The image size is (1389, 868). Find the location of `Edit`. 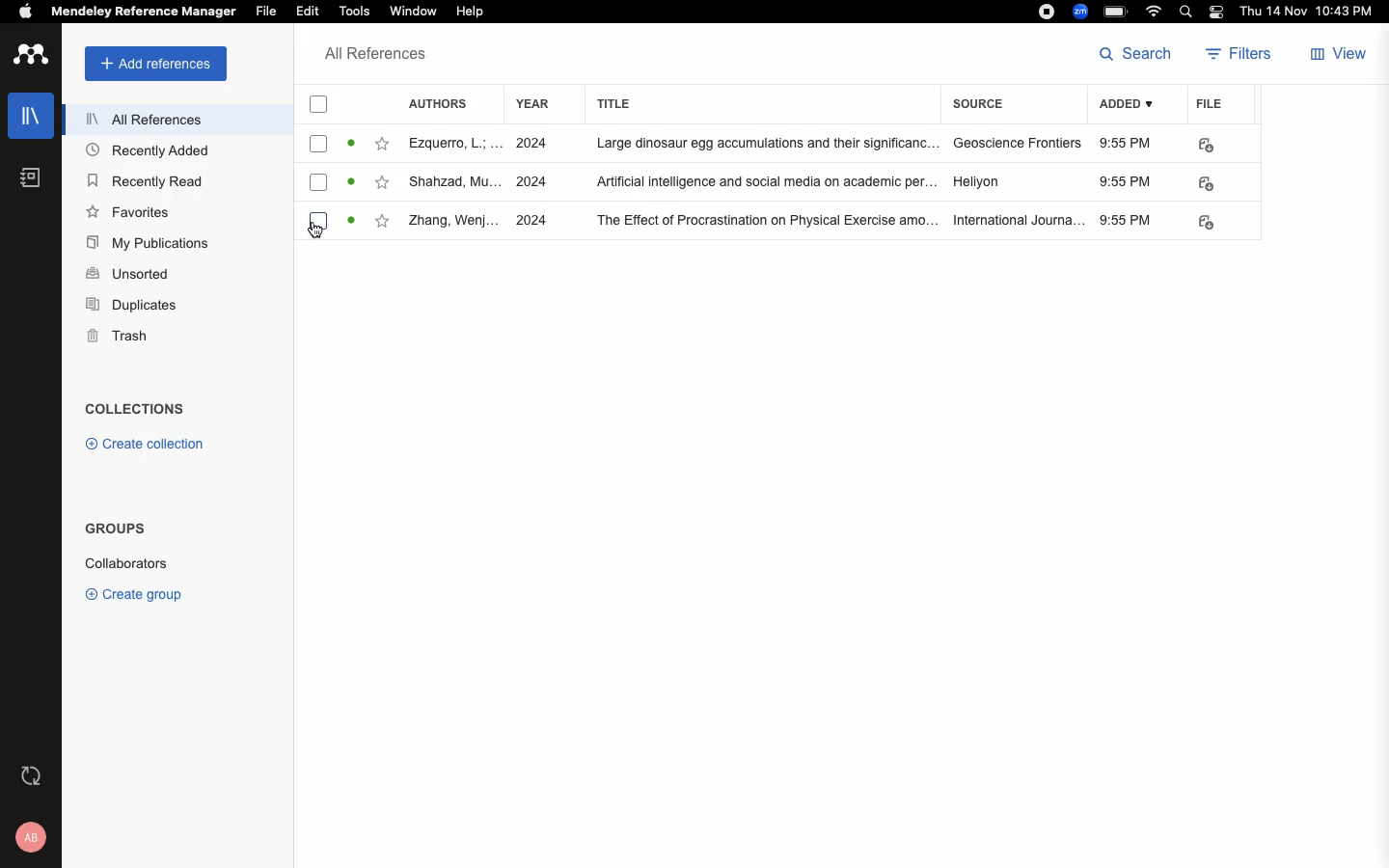

Edit is located at coordinates (309, 13).